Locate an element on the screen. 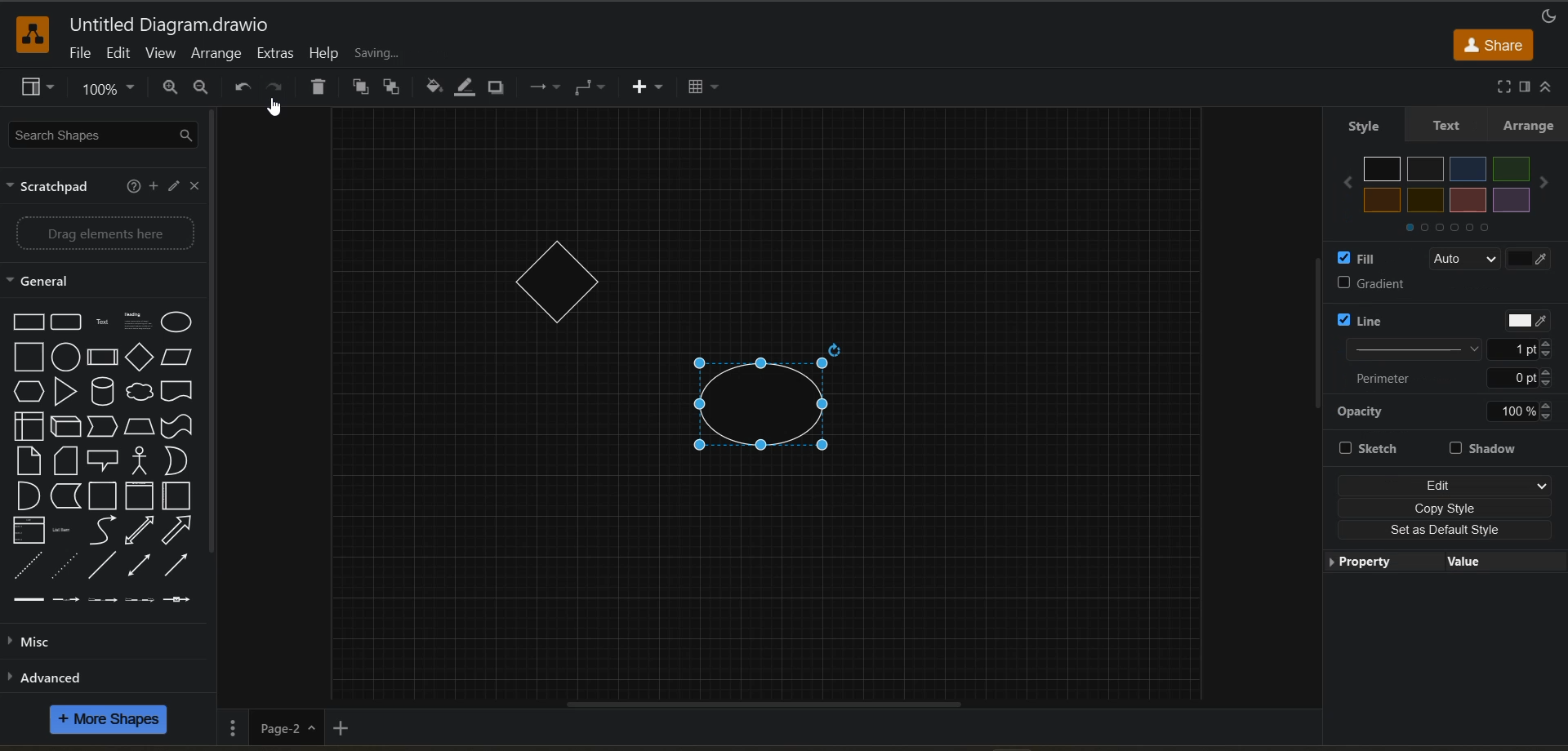 This screenshot has height=751, width=1568. container is located at coordinates (101, 497).